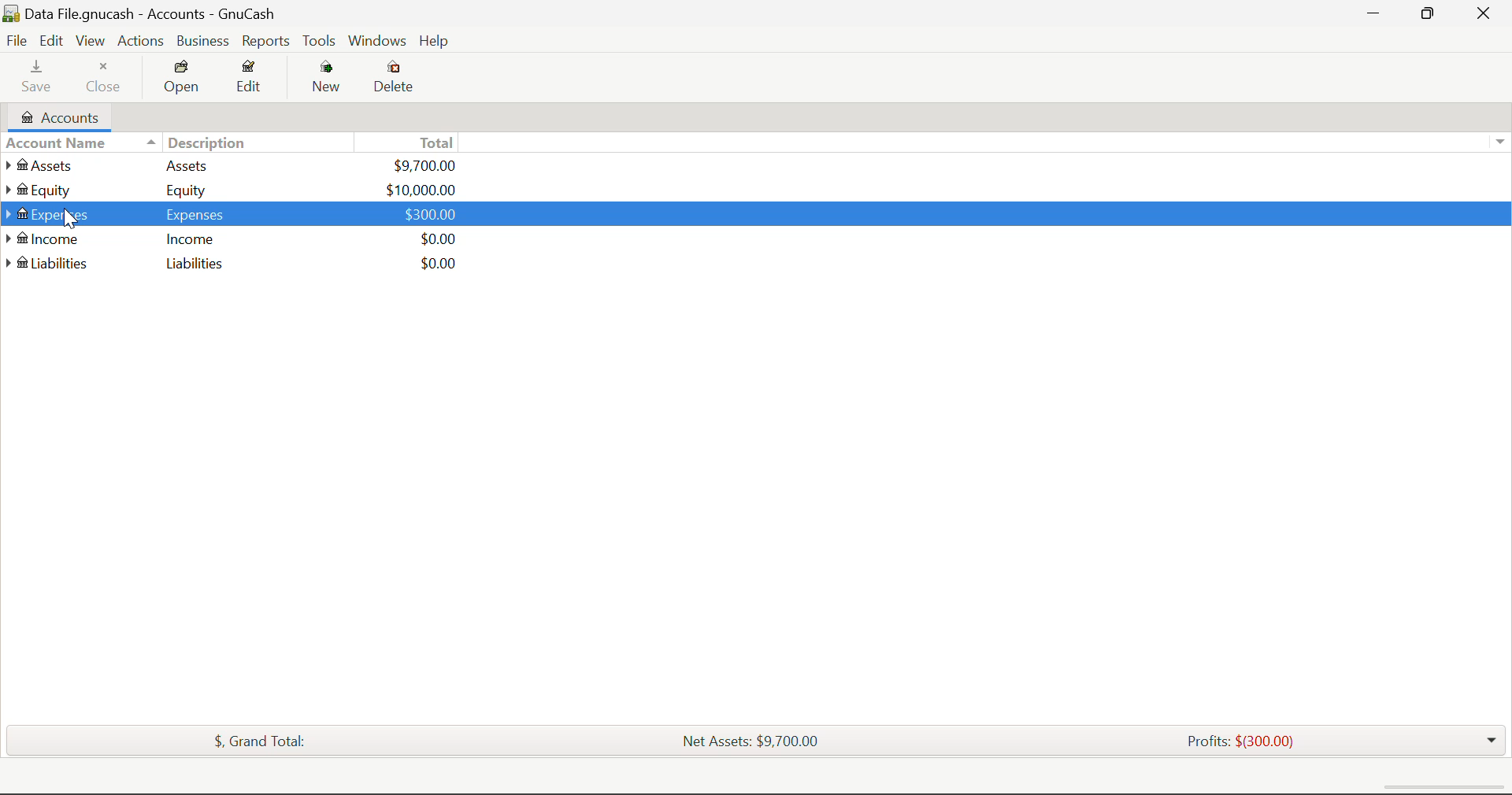  Describe the element at coordinates (265, 42) in the screenshot. I see `Reports` at that location.